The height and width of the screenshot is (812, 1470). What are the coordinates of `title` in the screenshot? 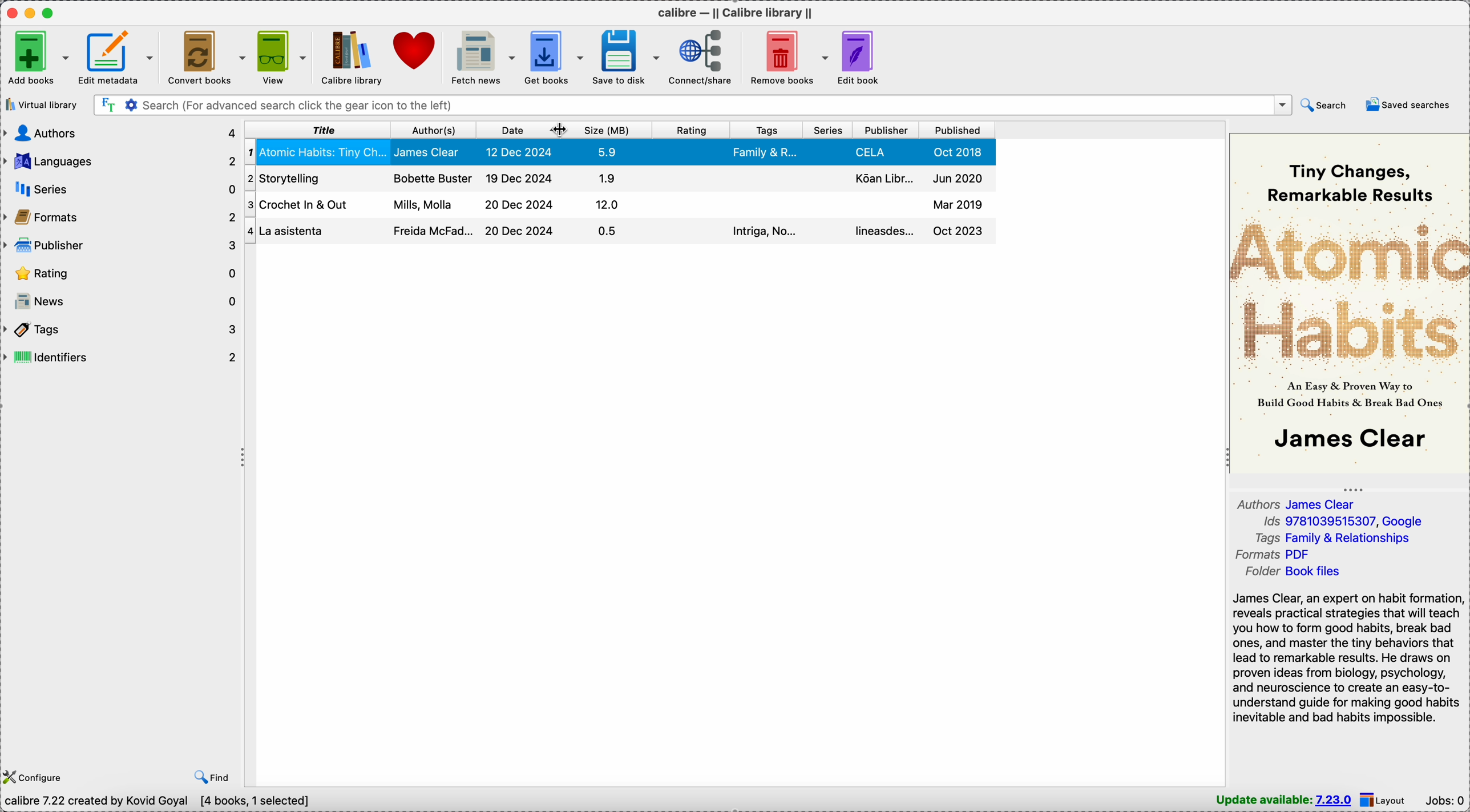 It's located at (318, 131).